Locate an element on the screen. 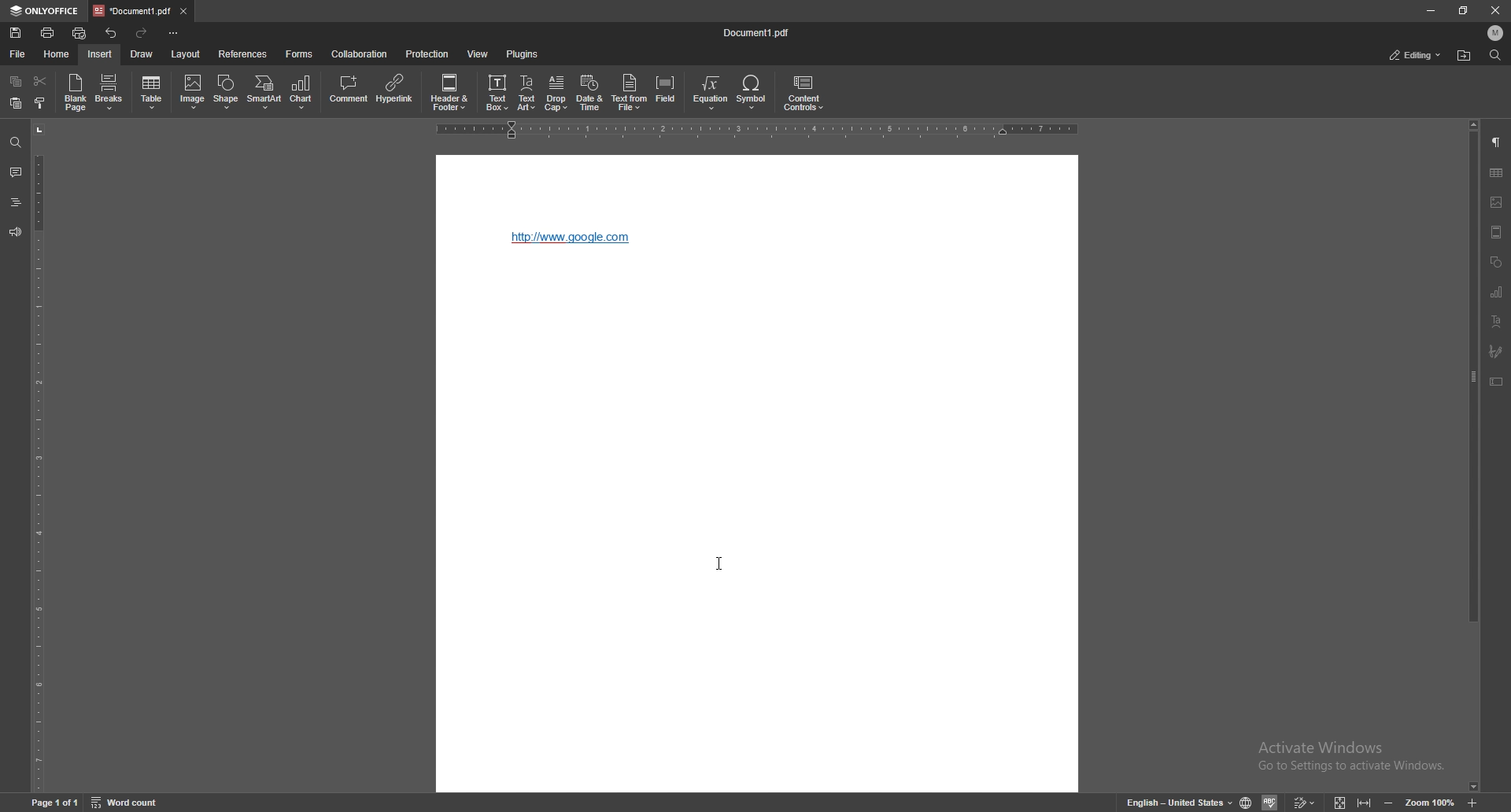 Image resolution: width=1511 pixels, height=812 pixels. fit to width is located at coordinates (1365, 798).